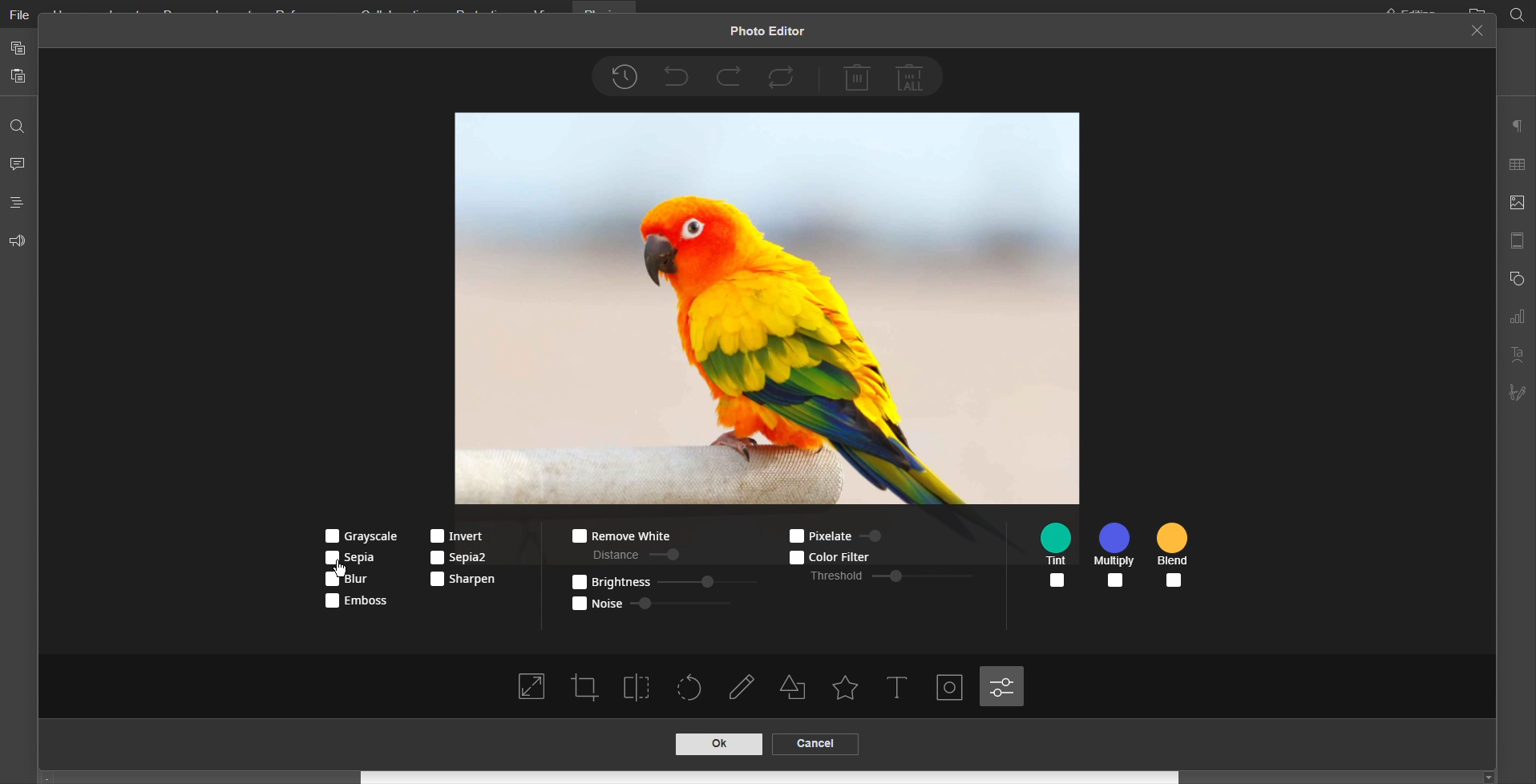  I want to click on Table Settings, so click(1516, 168).